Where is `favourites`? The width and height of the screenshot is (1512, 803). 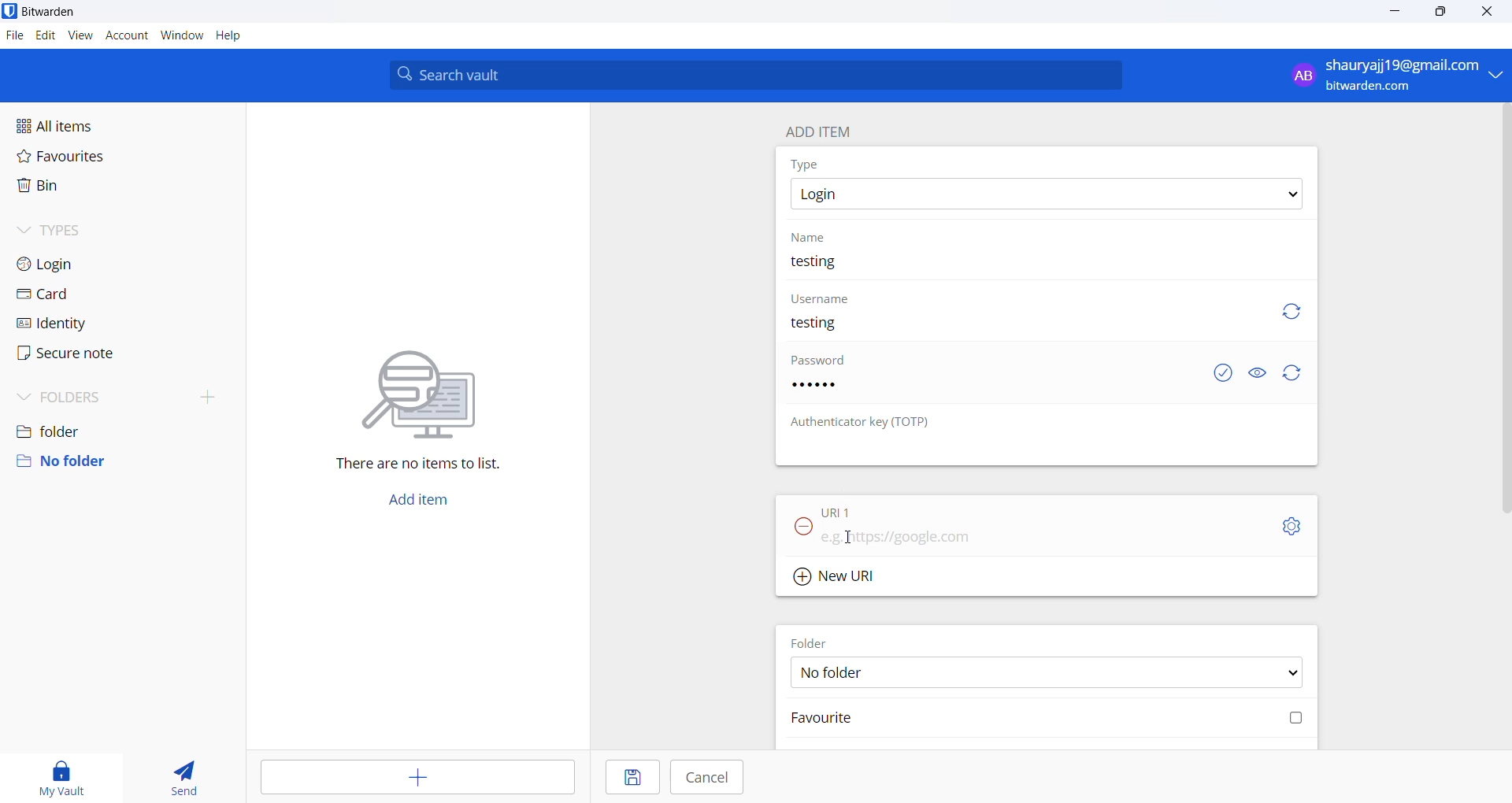 favourites is located at coordinates (89, 156).